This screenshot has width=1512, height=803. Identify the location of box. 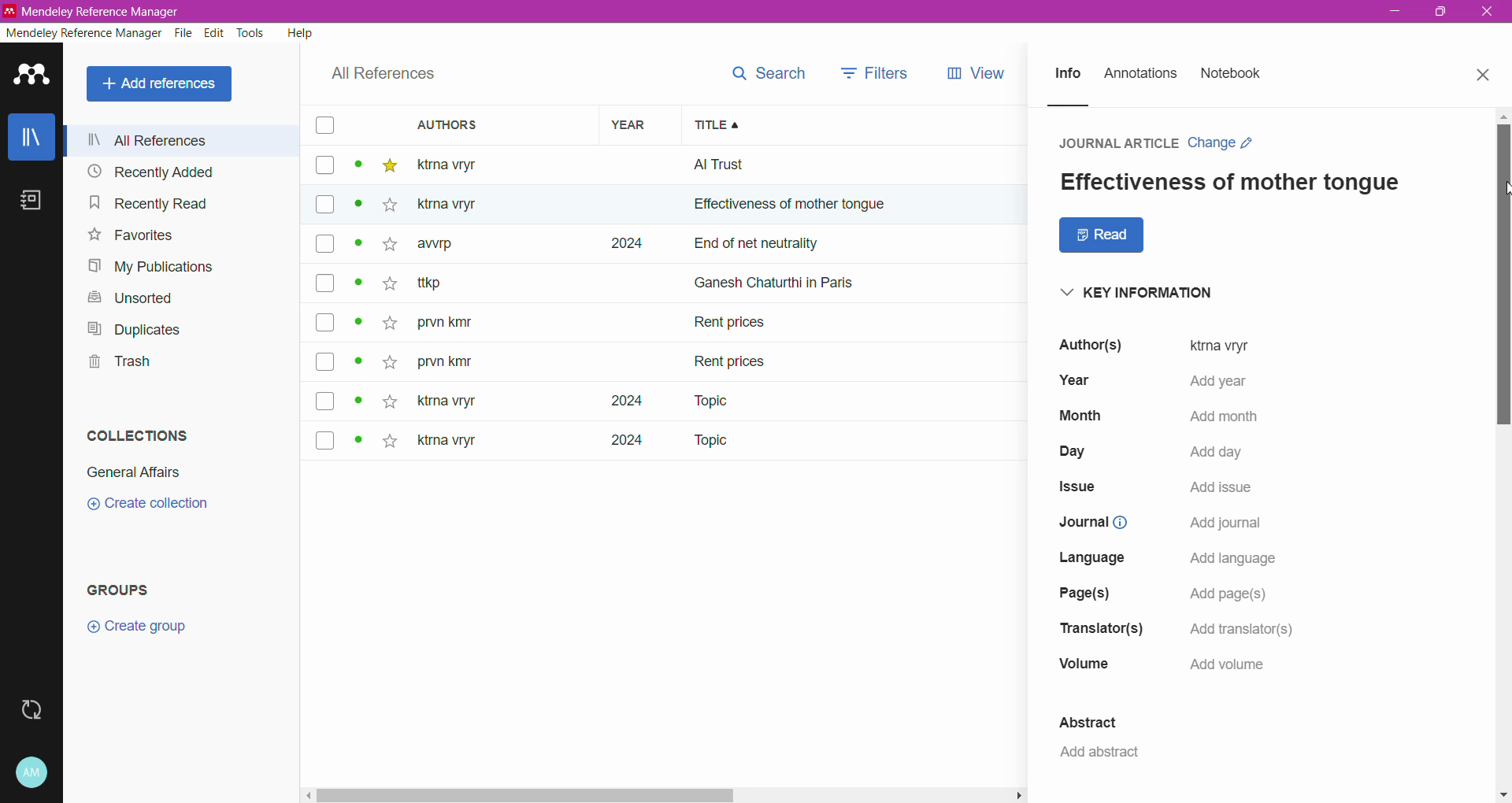
(323, 126).